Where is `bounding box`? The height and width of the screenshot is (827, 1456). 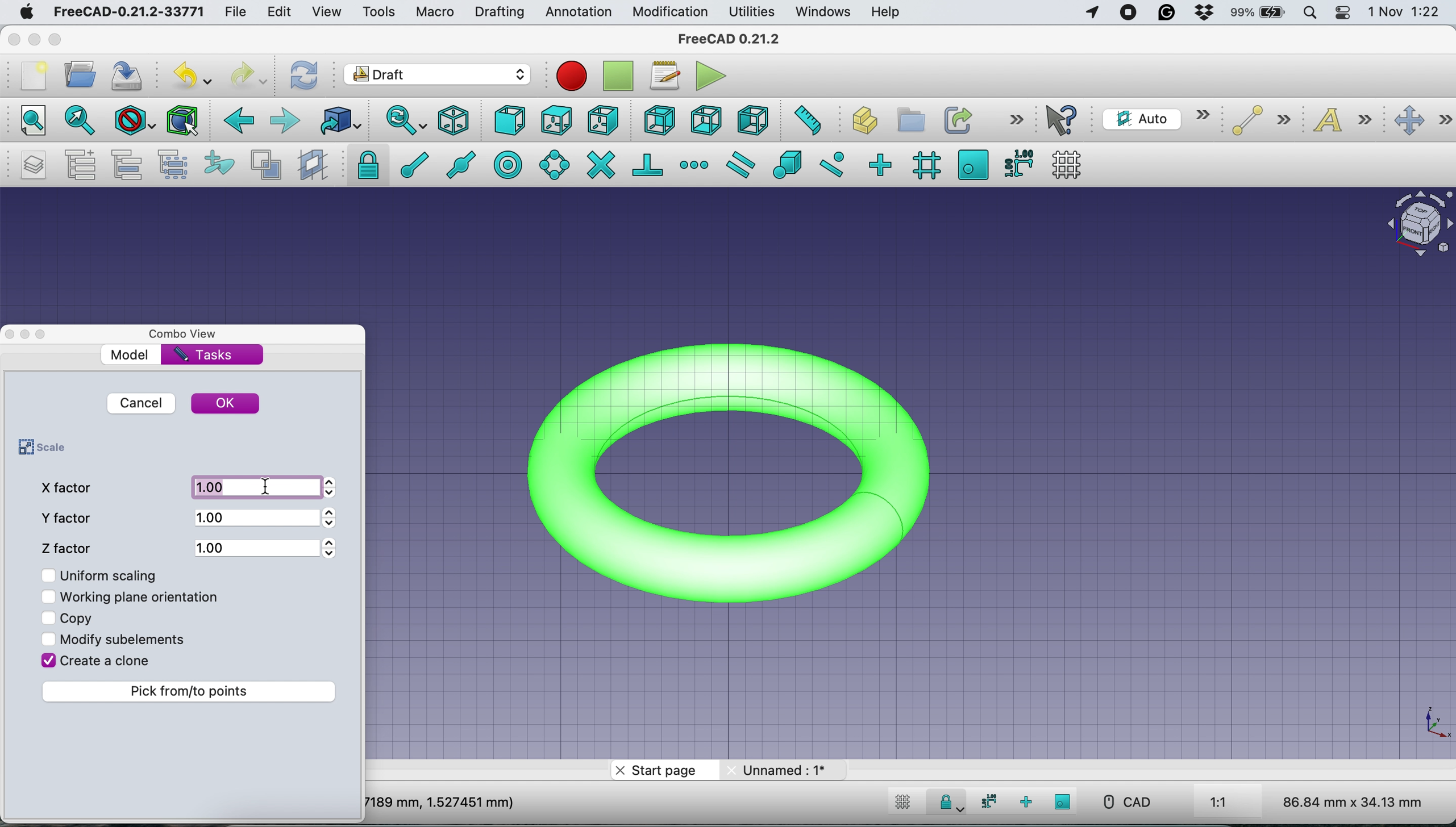
bounding box is located at coordinates (183, 121).